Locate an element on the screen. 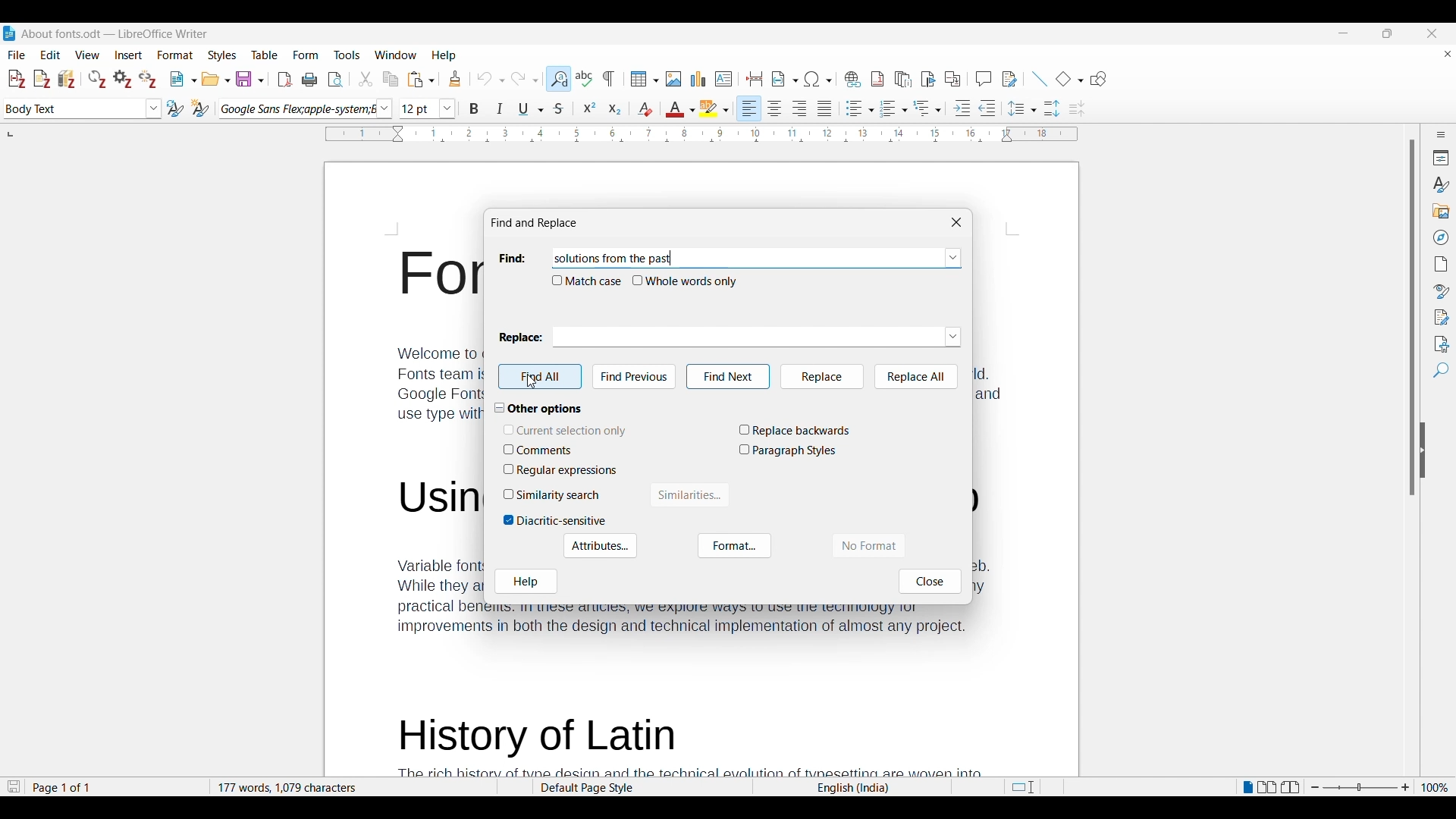  Total word and character count is located at coordinates (353, 788).